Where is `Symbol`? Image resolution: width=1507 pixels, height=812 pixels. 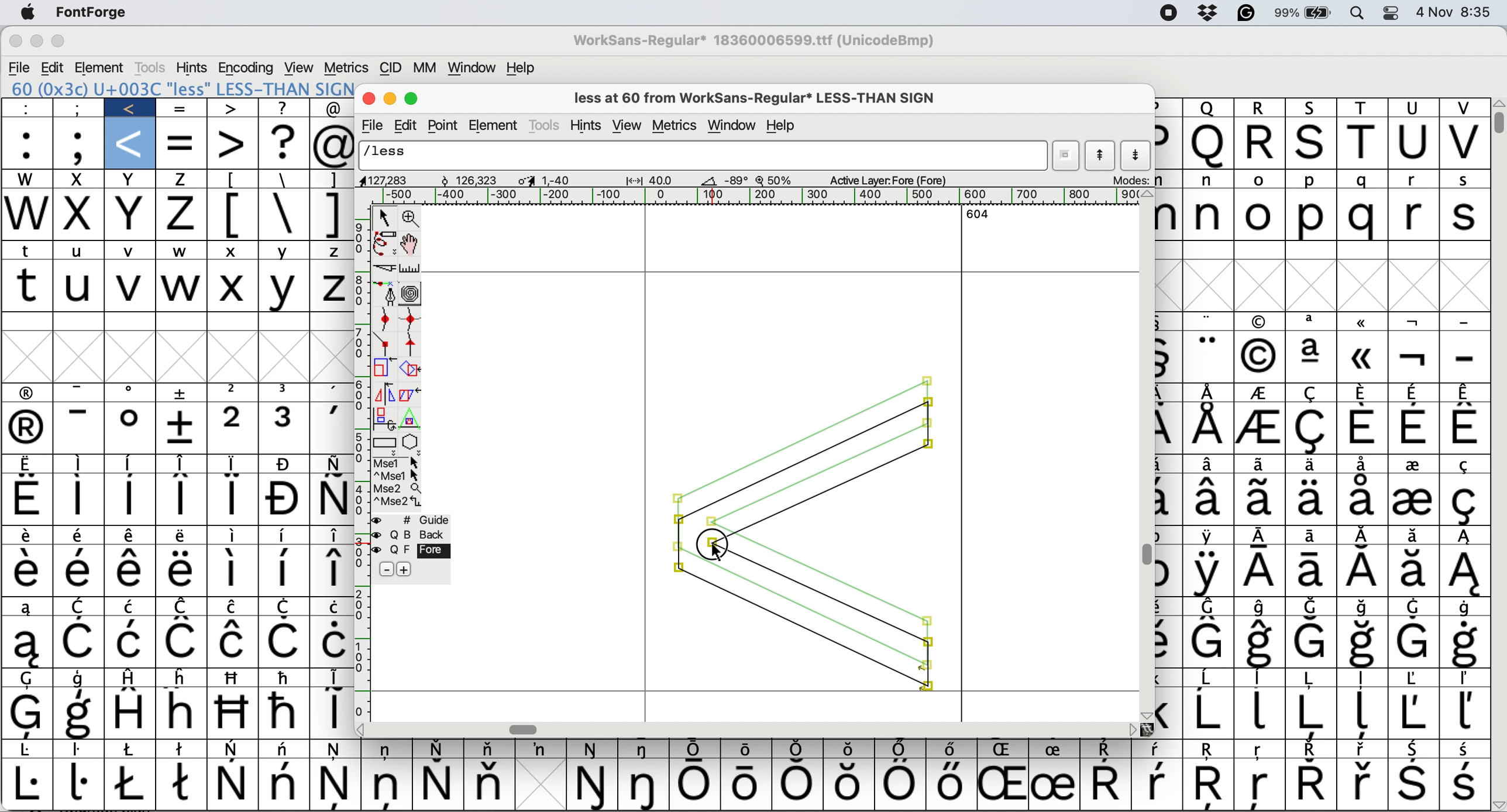
Symbol is located at coordinates (32, 572).